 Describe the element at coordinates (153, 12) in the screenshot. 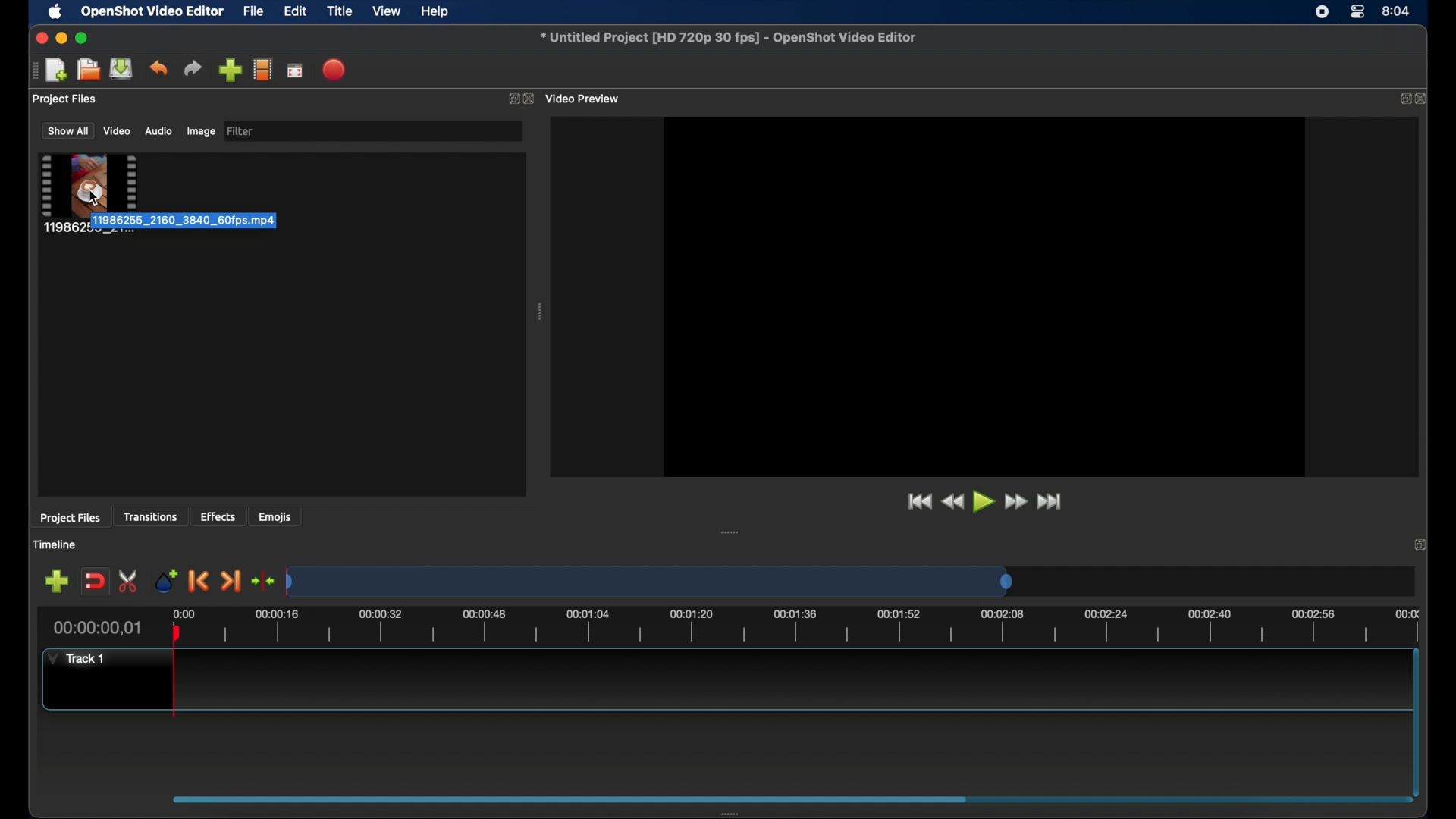

I see `openshot video editor` at that location.